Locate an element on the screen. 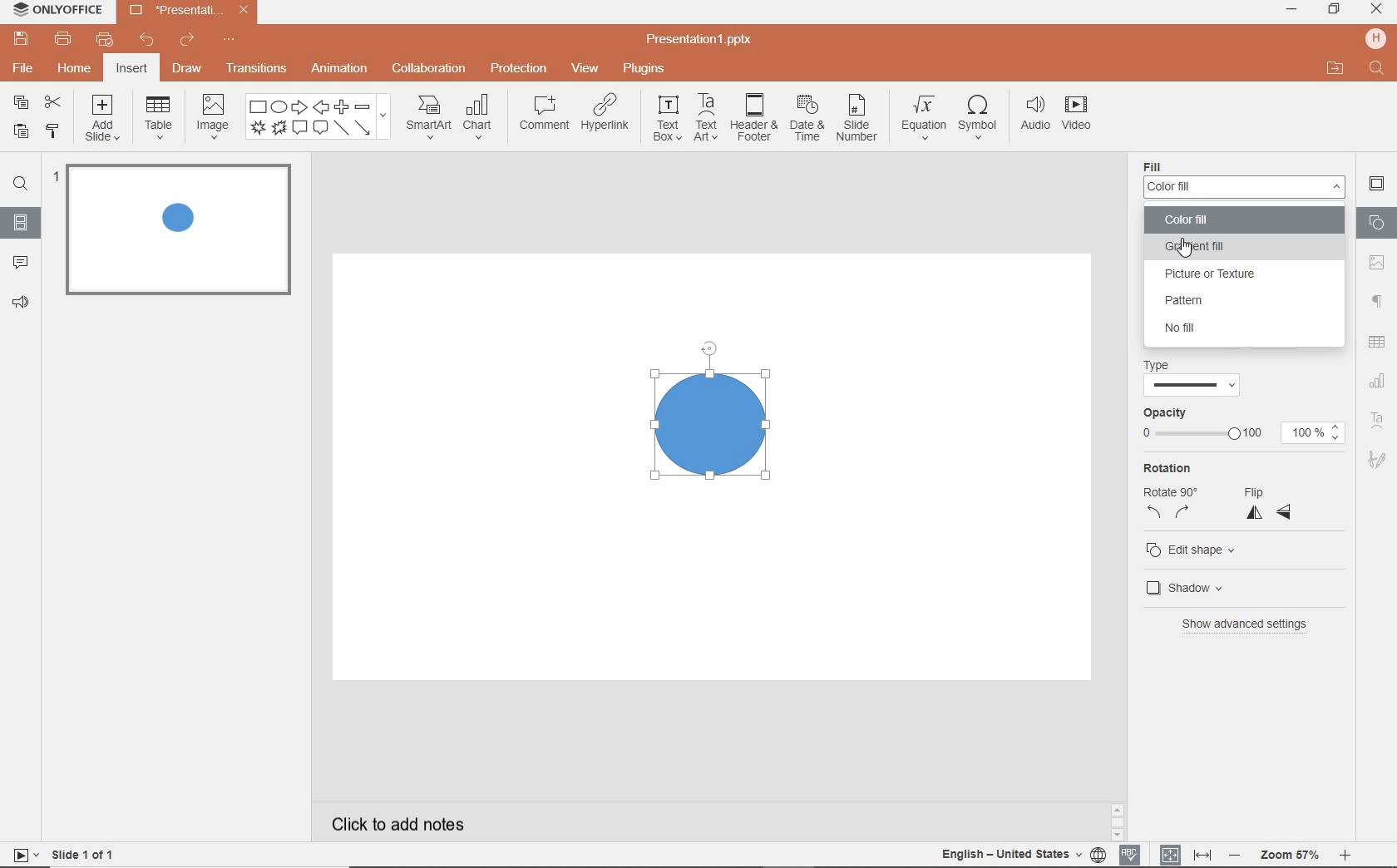 The height and width of the screenshot is (868, 1397). view is located at coordinates (584, 70).